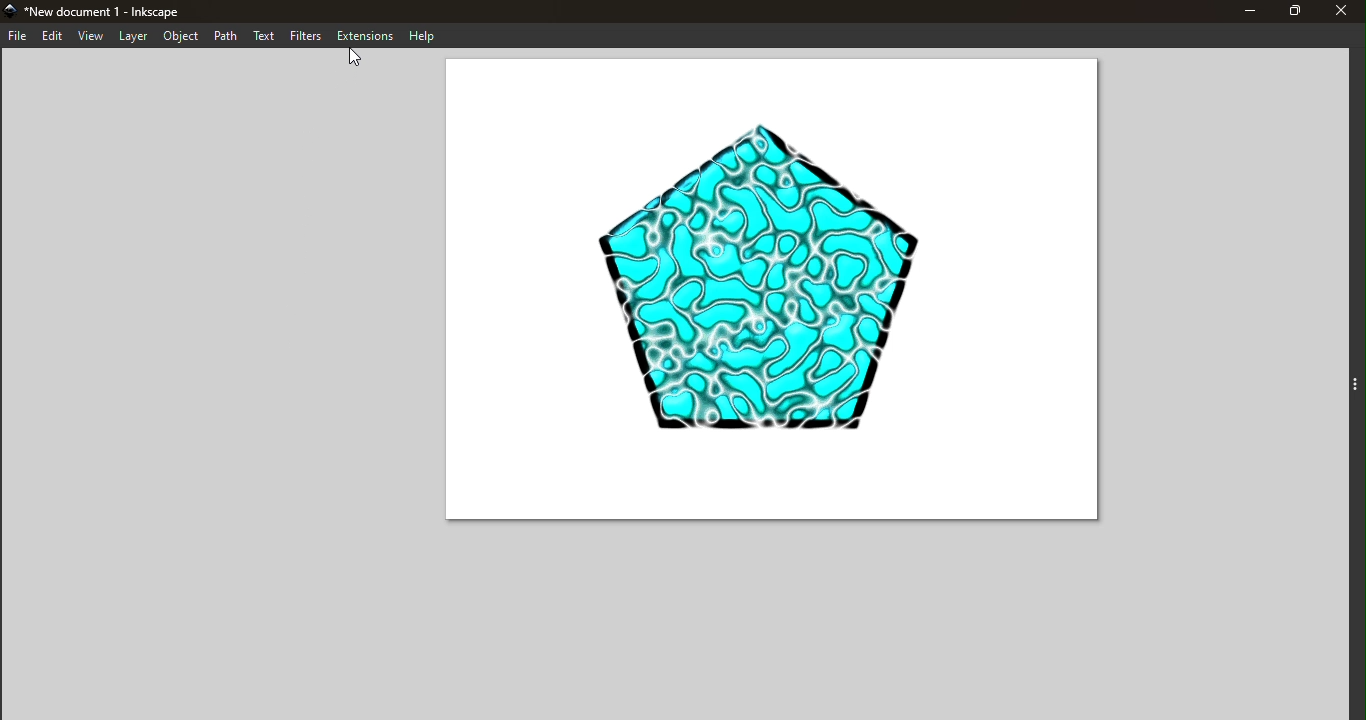 This screenshot has width=1366, height=720. Describe the element at coordinates (309, 37) in the screenshot. I see `Filters` at that location.